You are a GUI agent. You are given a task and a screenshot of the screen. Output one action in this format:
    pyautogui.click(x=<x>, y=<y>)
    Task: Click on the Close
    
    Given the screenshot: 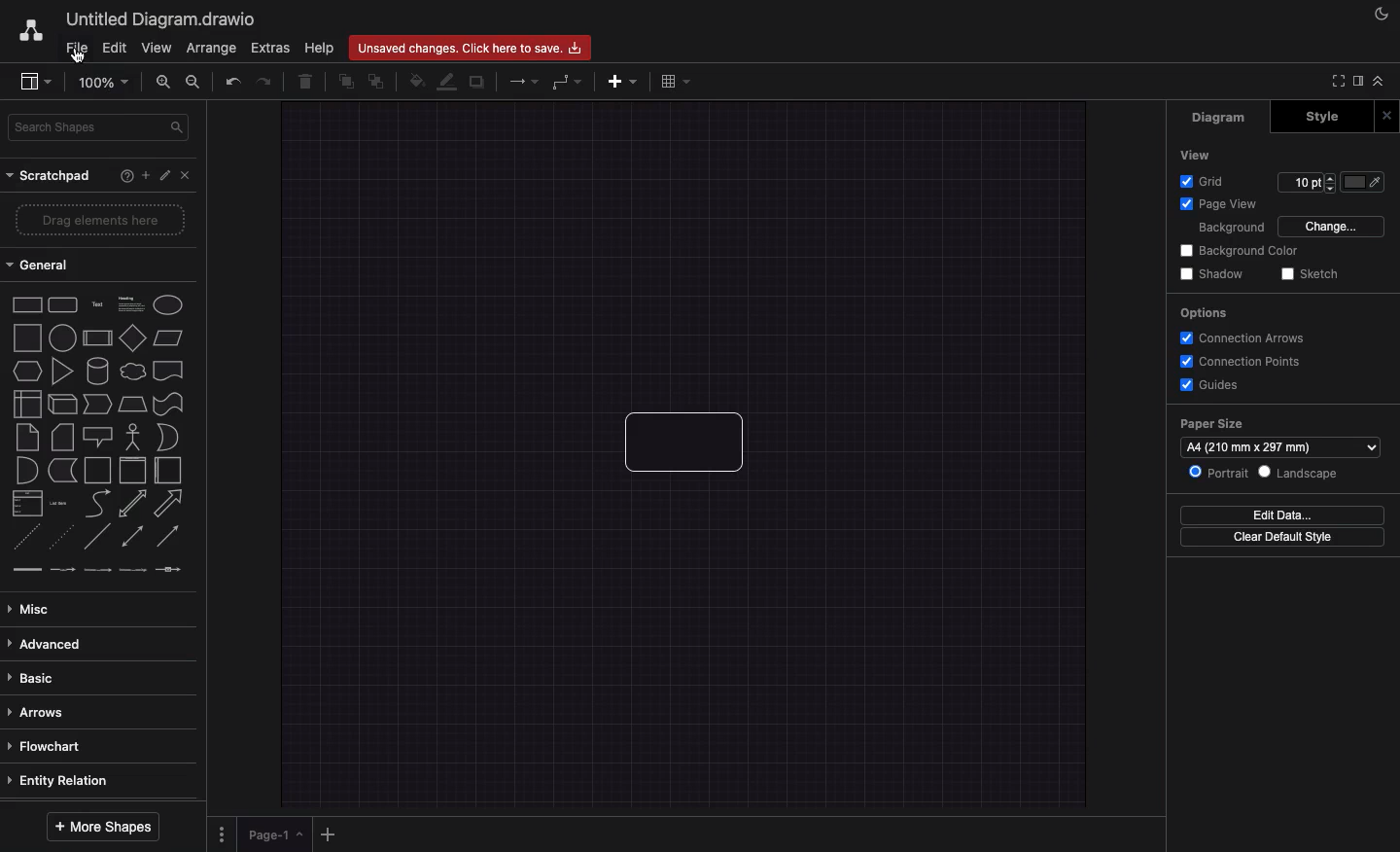 What is the action you would take?
    pyautogui.click(x=1387, y=117)
    